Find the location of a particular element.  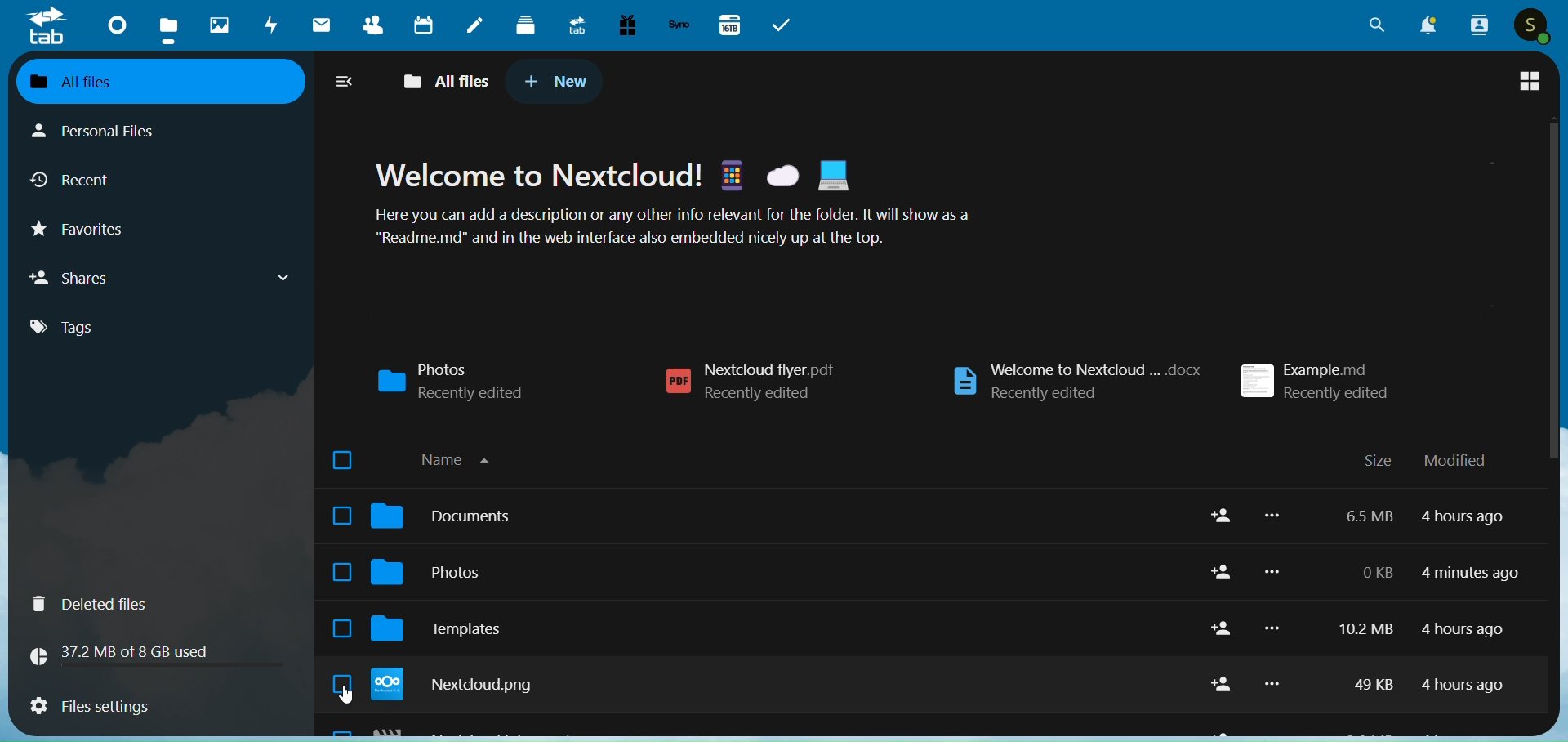

tags is located at coordinates (88, 331).